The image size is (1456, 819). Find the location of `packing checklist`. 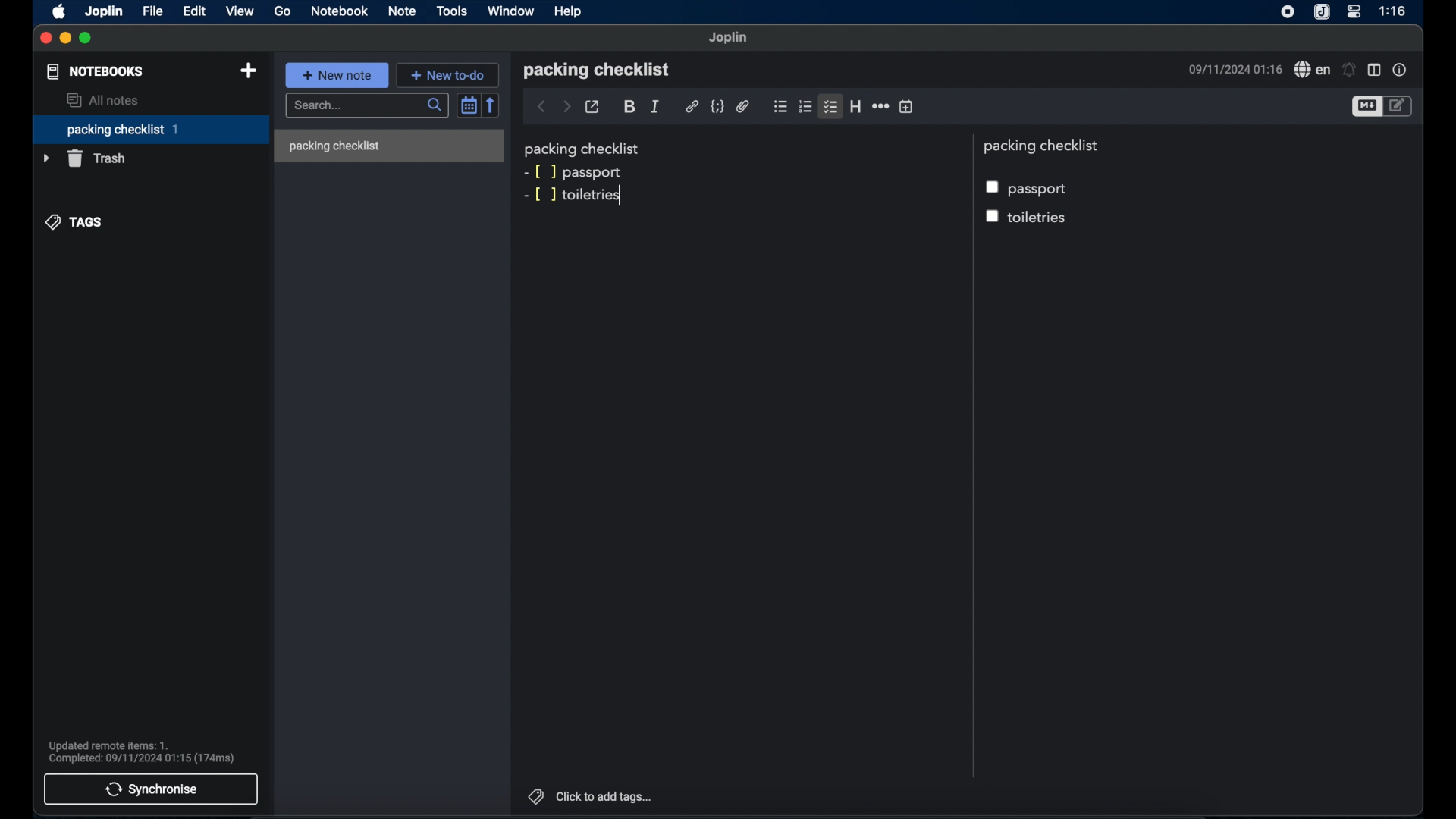

packing checklist is located at coordinates (334, 146).